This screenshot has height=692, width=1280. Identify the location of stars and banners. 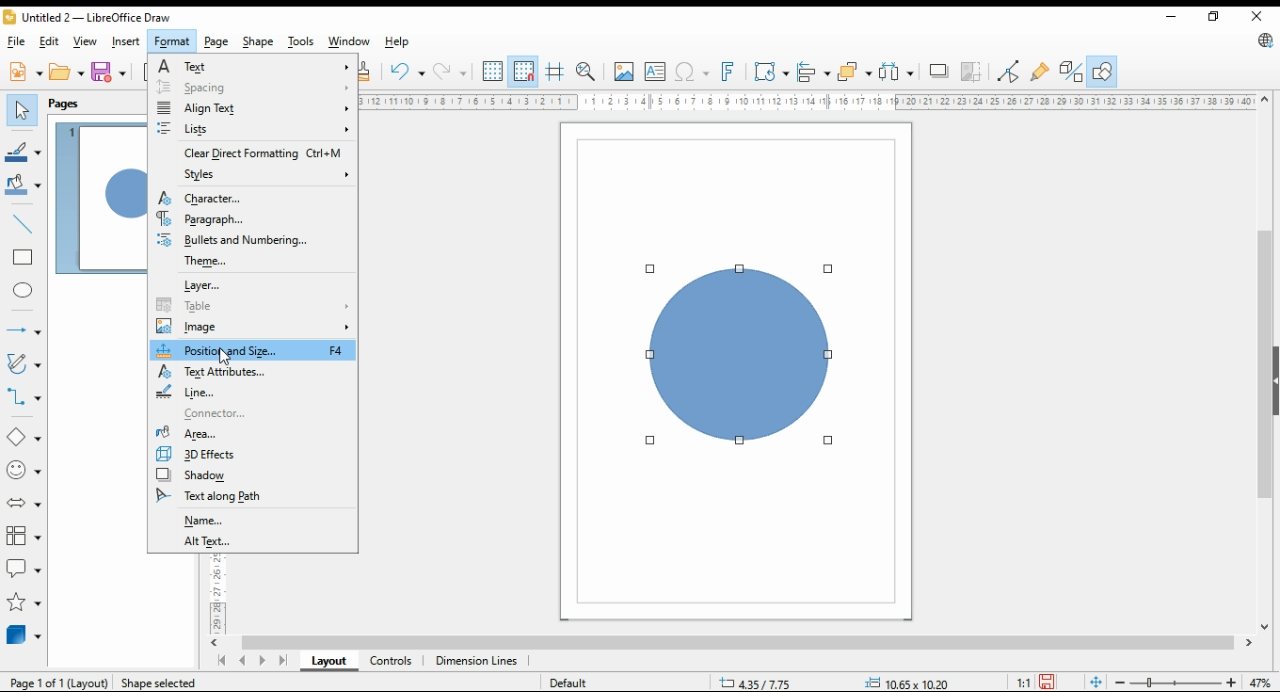
(23, 601).